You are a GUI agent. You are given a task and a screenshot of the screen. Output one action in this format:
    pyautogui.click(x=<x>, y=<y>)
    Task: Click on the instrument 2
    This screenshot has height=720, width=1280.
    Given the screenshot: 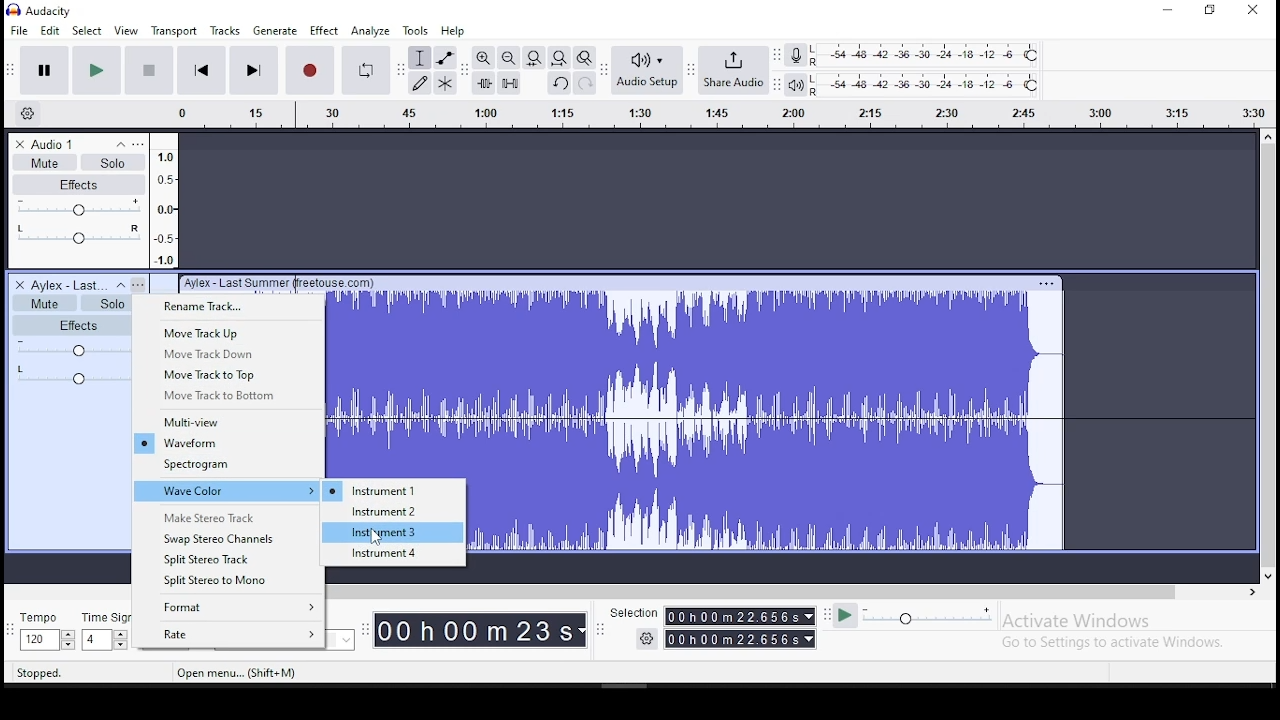 What is the action you would take?
    pyautogui.click(x=393, y=513)
    